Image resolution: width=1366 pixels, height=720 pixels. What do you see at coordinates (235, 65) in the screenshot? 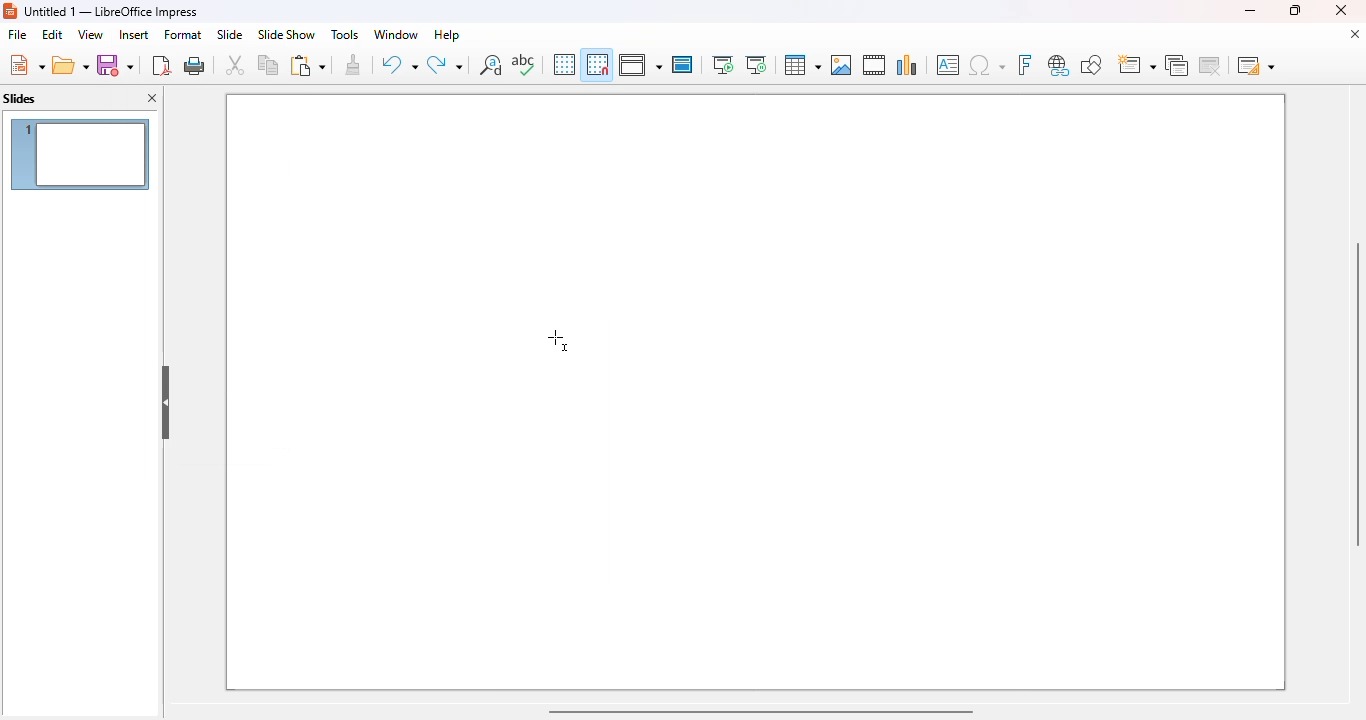
I see `cut` at bounding box center [235, 65].